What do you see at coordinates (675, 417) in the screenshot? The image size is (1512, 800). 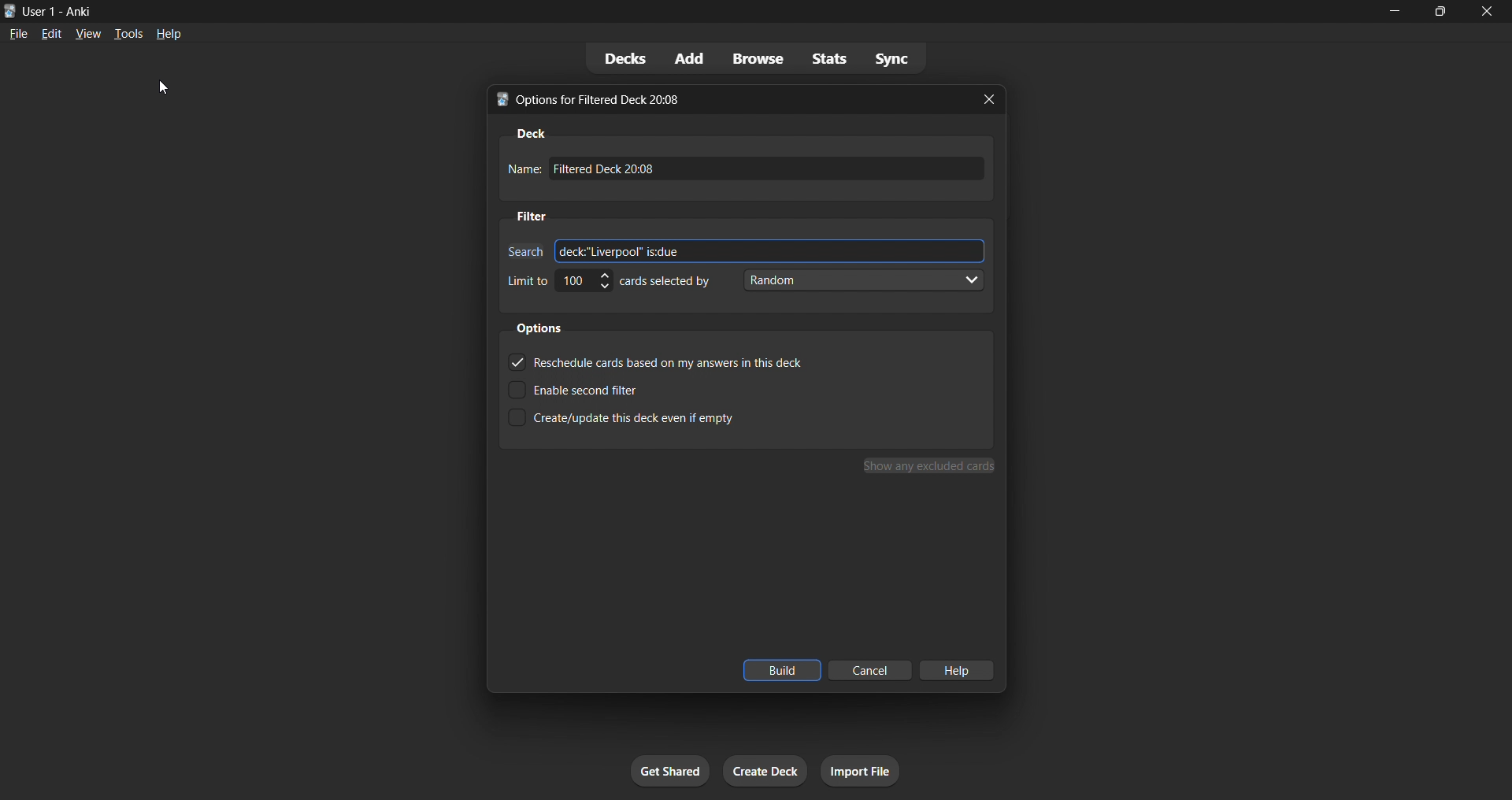 I see `(un)check create deck even if empty radio option` at bounding box center [675, 417].